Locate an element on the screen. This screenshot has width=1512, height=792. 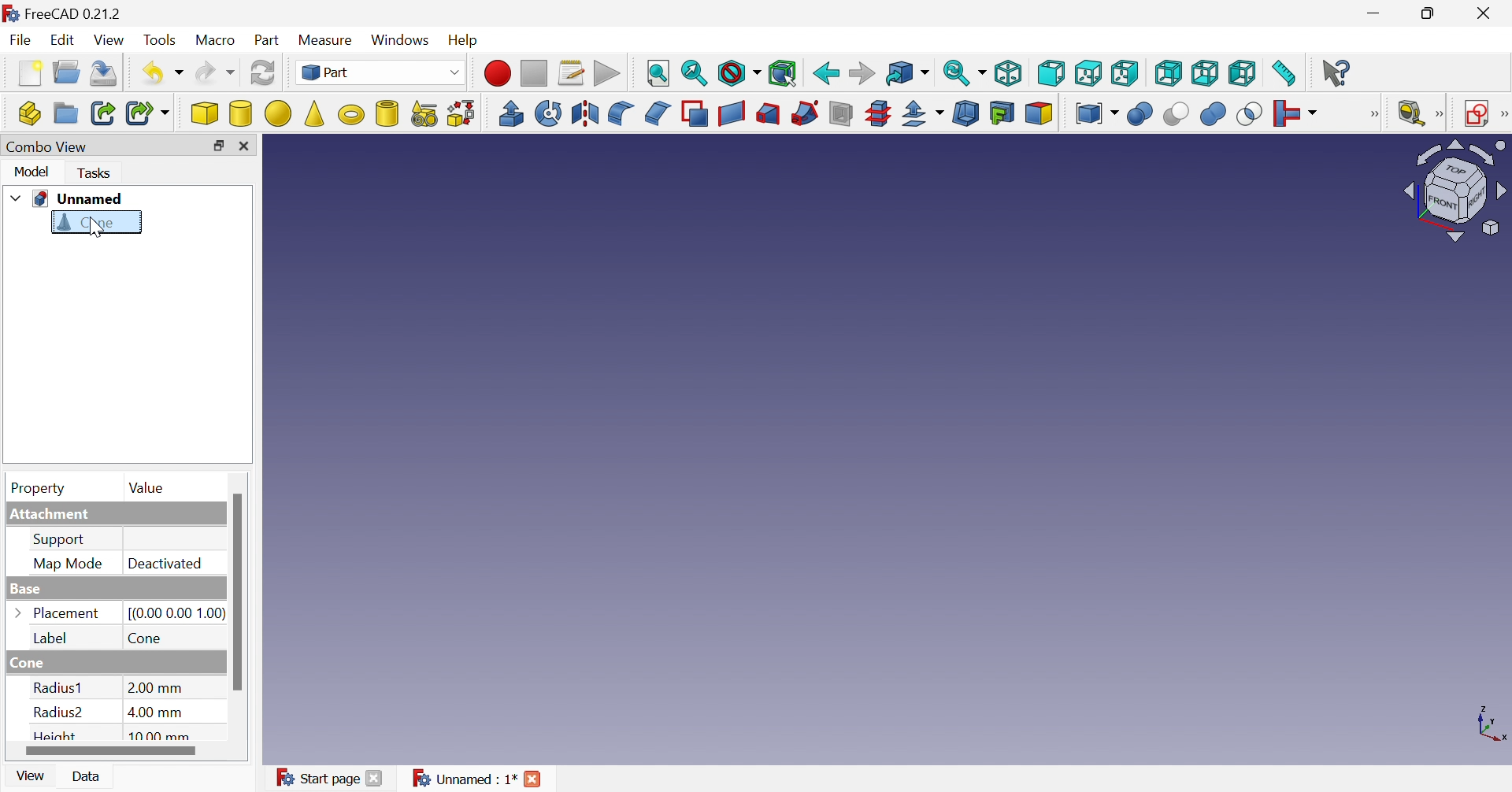
Mirroring is located at coordinates (585, 114).